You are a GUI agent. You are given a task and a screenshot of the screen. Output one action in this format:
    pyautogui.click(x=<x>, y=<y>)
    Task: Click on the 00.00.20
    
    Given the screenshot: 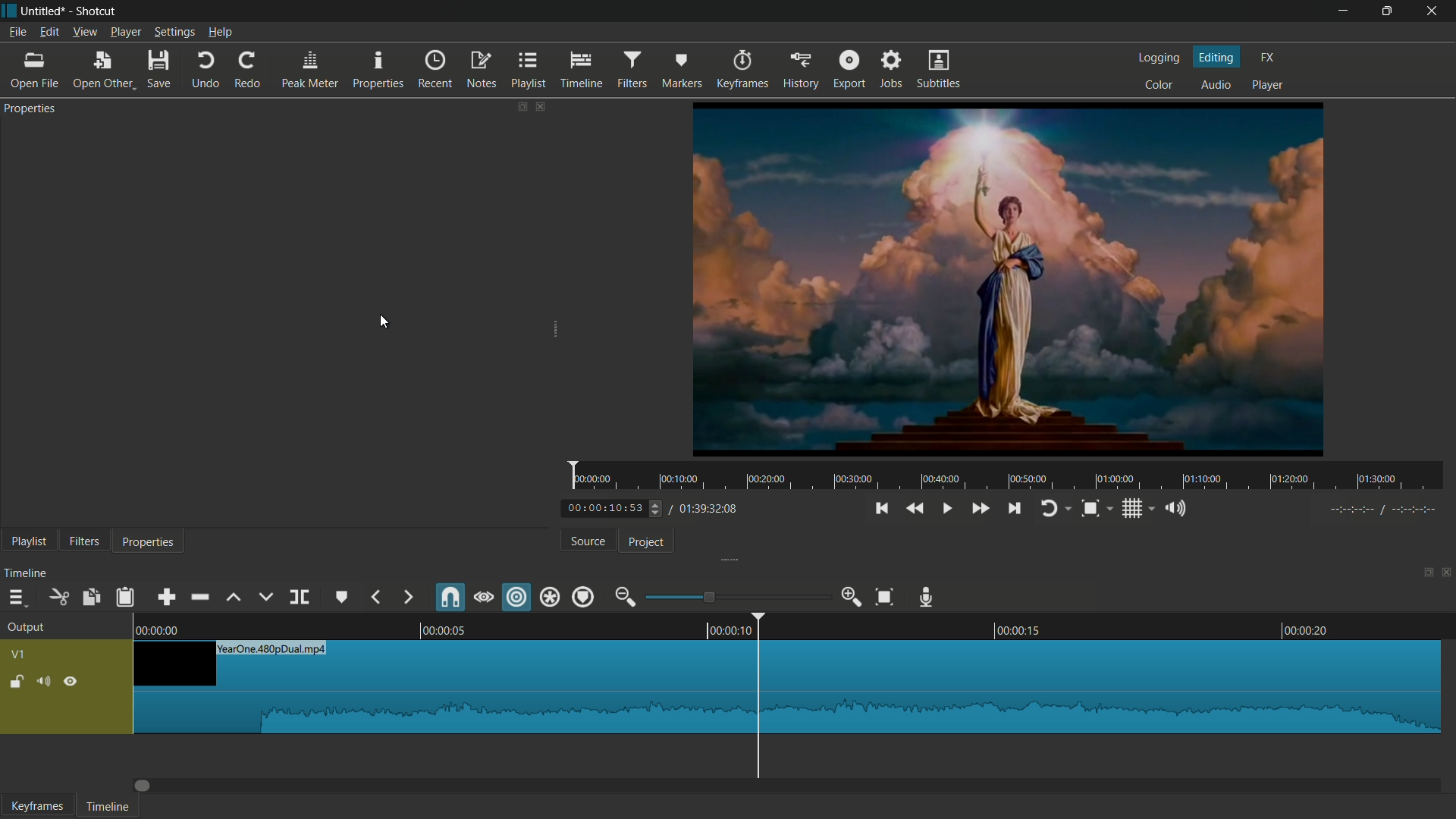 What is the action you would take?
    pyautogui.click(x=1306, y=628)
    